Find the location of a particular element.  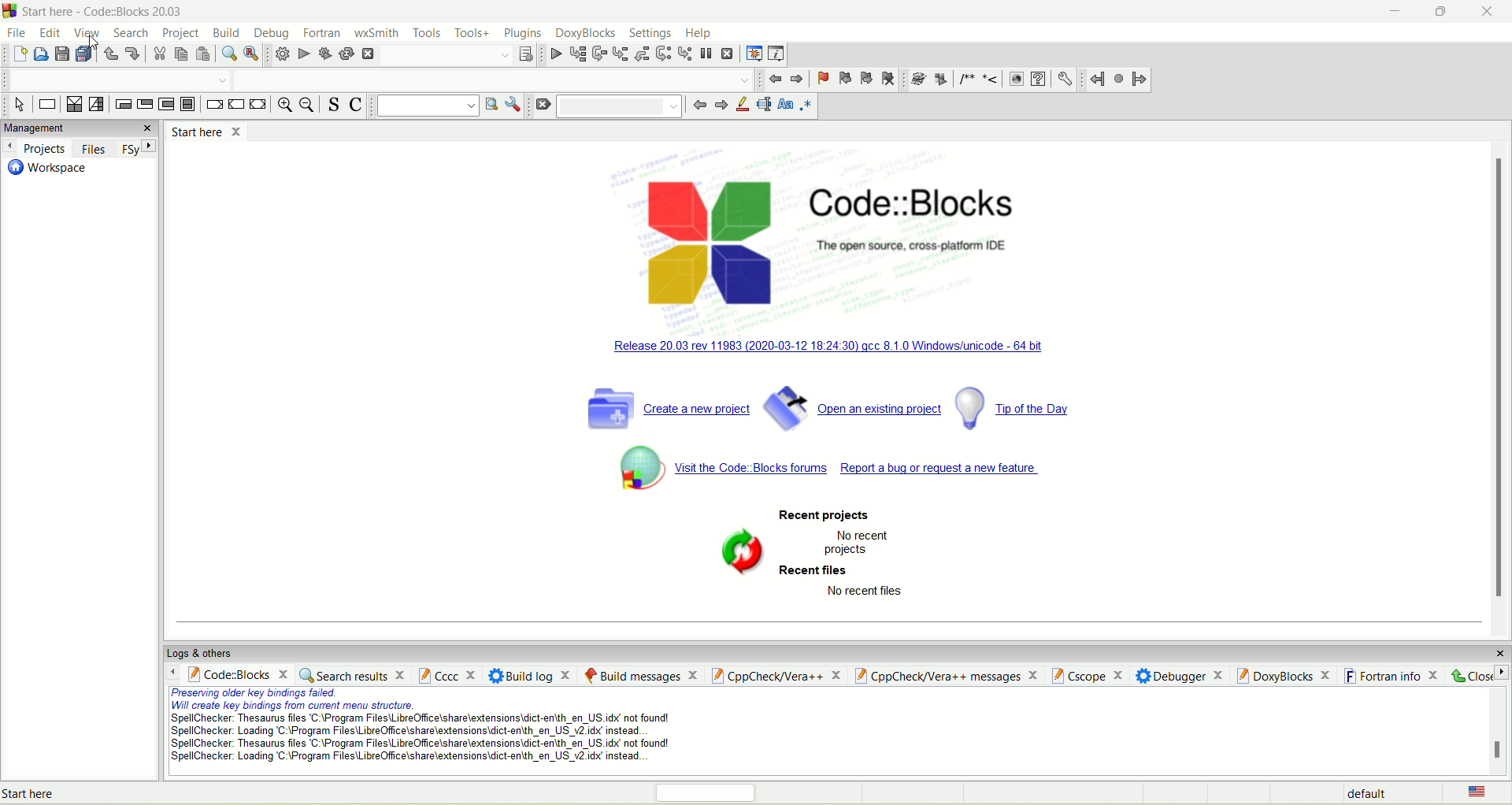

close is located at coordinates (1477, 673).